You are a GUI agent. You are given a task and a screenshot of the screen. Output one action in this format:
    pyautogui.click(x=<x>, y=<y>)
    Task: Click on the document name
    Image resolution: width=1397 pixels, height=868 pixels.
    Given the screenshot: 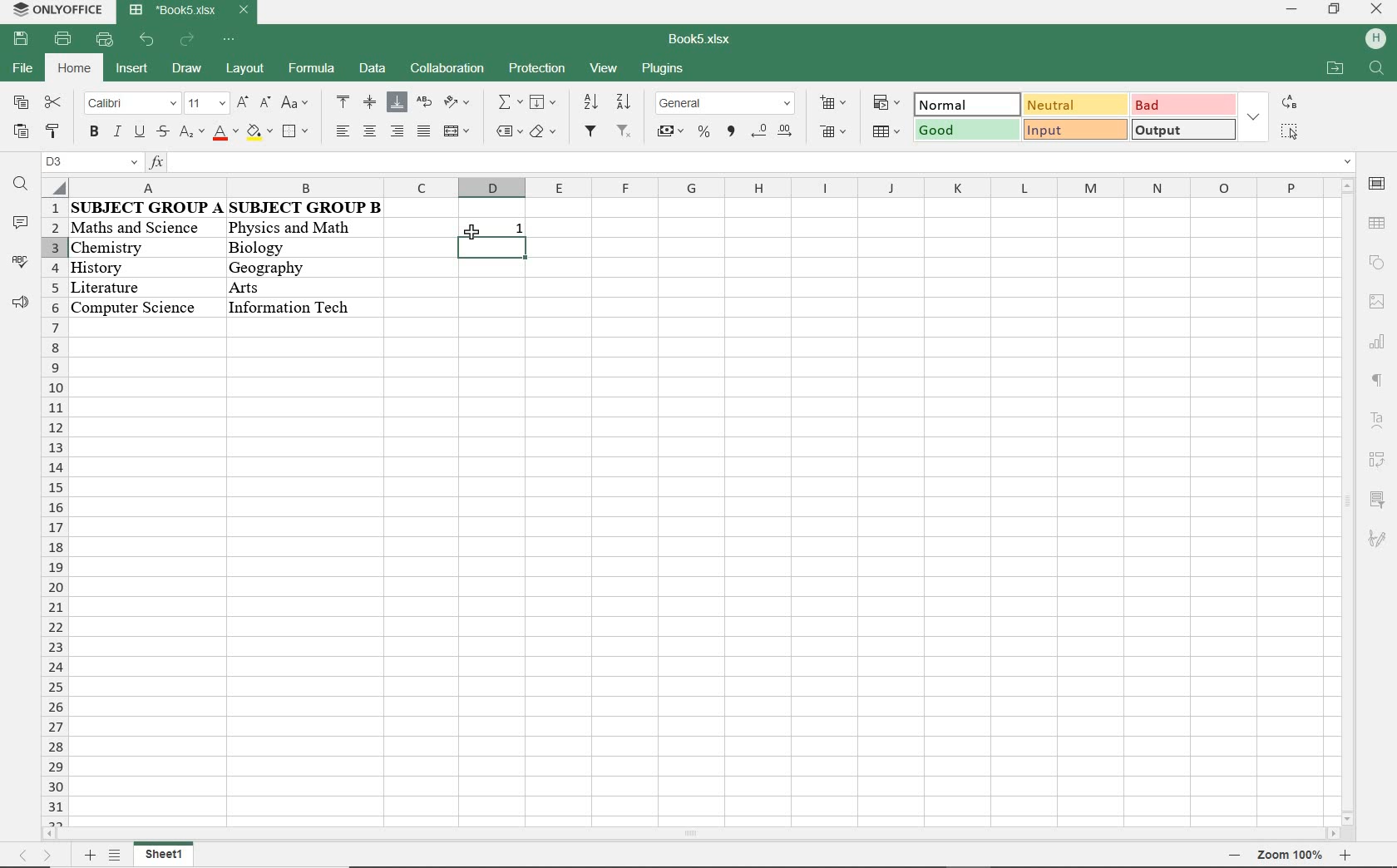 What is the action you would take?
    pyautogui.click(x=187, y=11)
    